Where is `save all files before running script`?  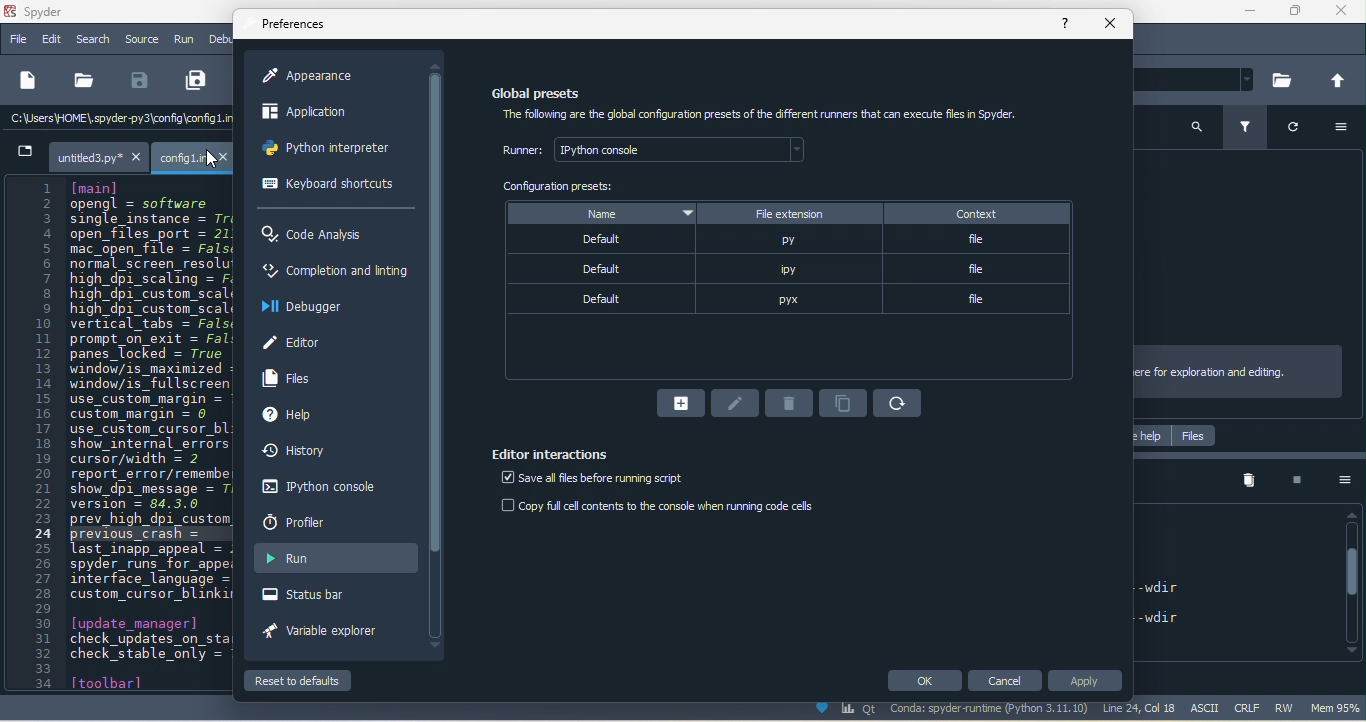 save all files before running script is located at coordinates (589, 480).